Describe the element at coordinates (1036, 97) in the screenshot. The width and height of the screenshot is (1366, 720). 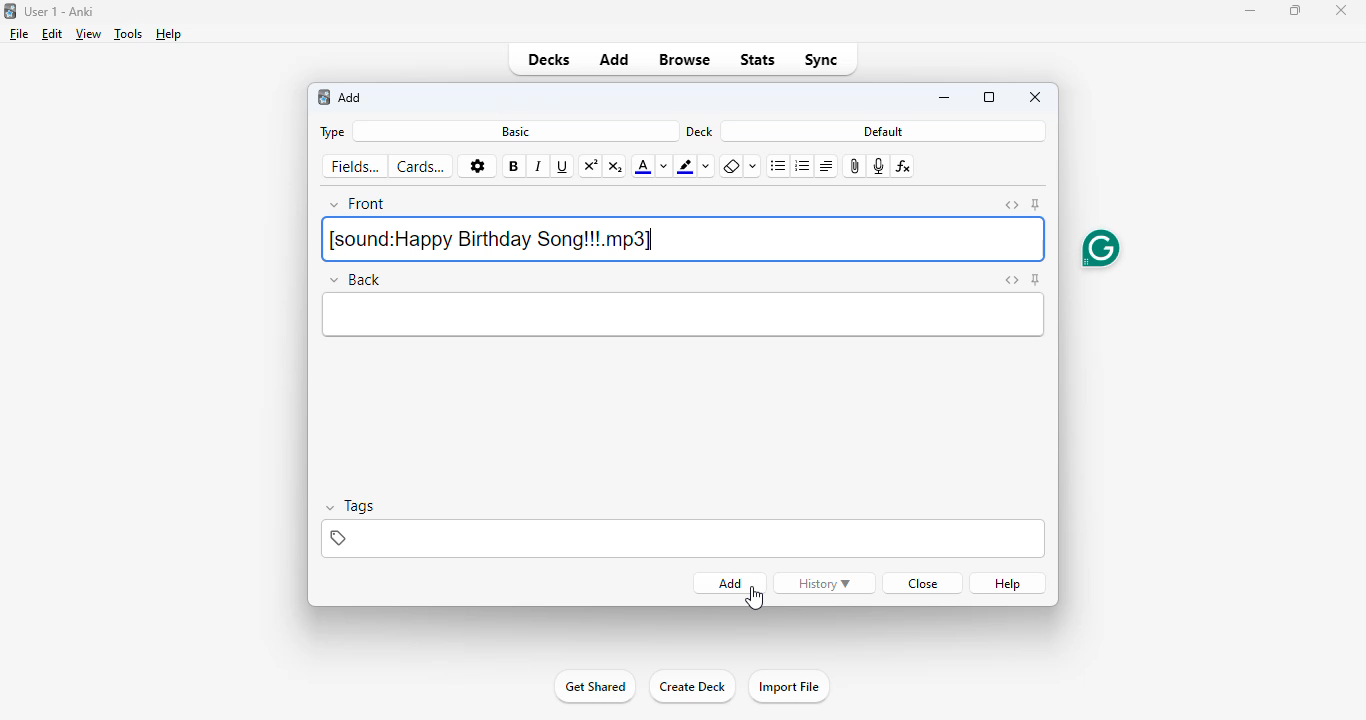
I see `close` at that location.